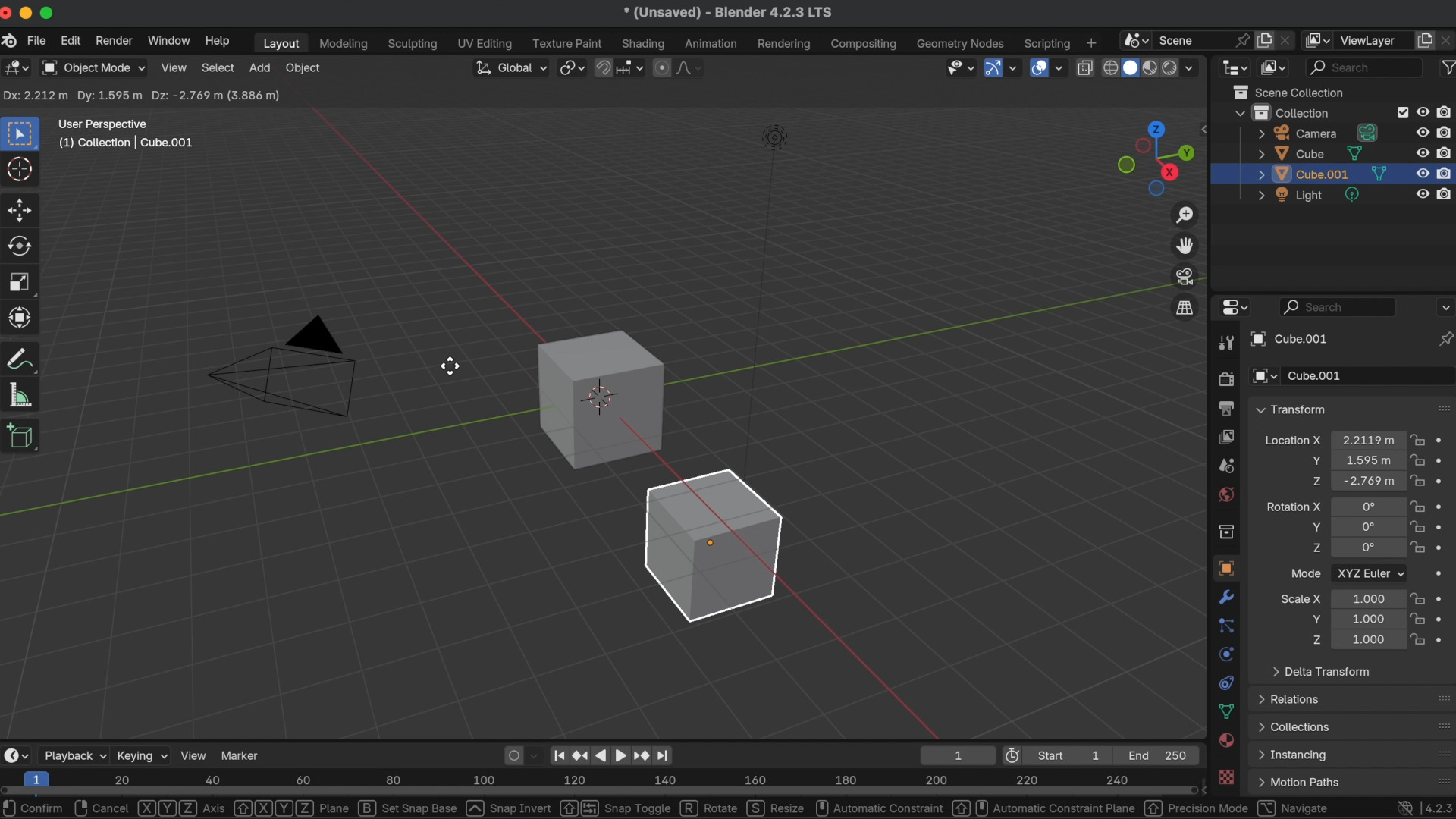 This screenshot has width=1456, height=819. I want to click on animate property, so click(1443, 576).